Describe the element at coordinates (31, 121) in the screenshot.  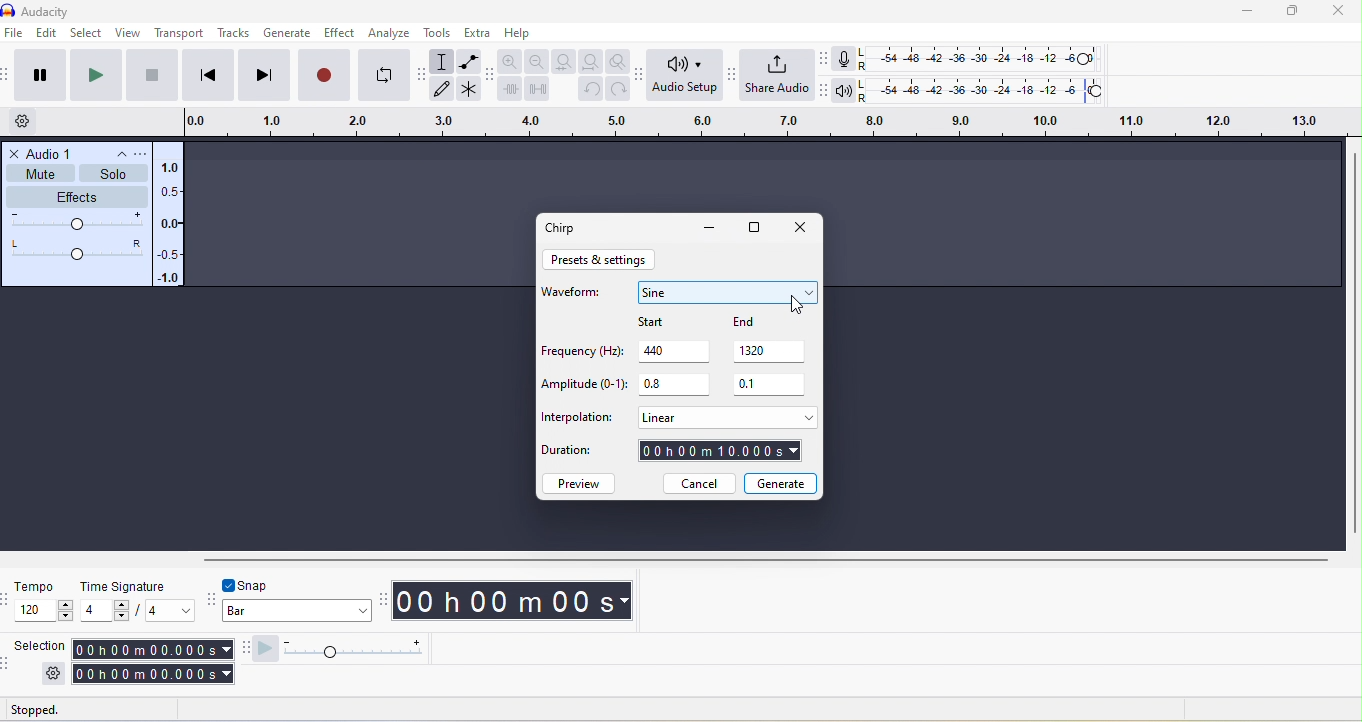
I see `timeline option` at that location.